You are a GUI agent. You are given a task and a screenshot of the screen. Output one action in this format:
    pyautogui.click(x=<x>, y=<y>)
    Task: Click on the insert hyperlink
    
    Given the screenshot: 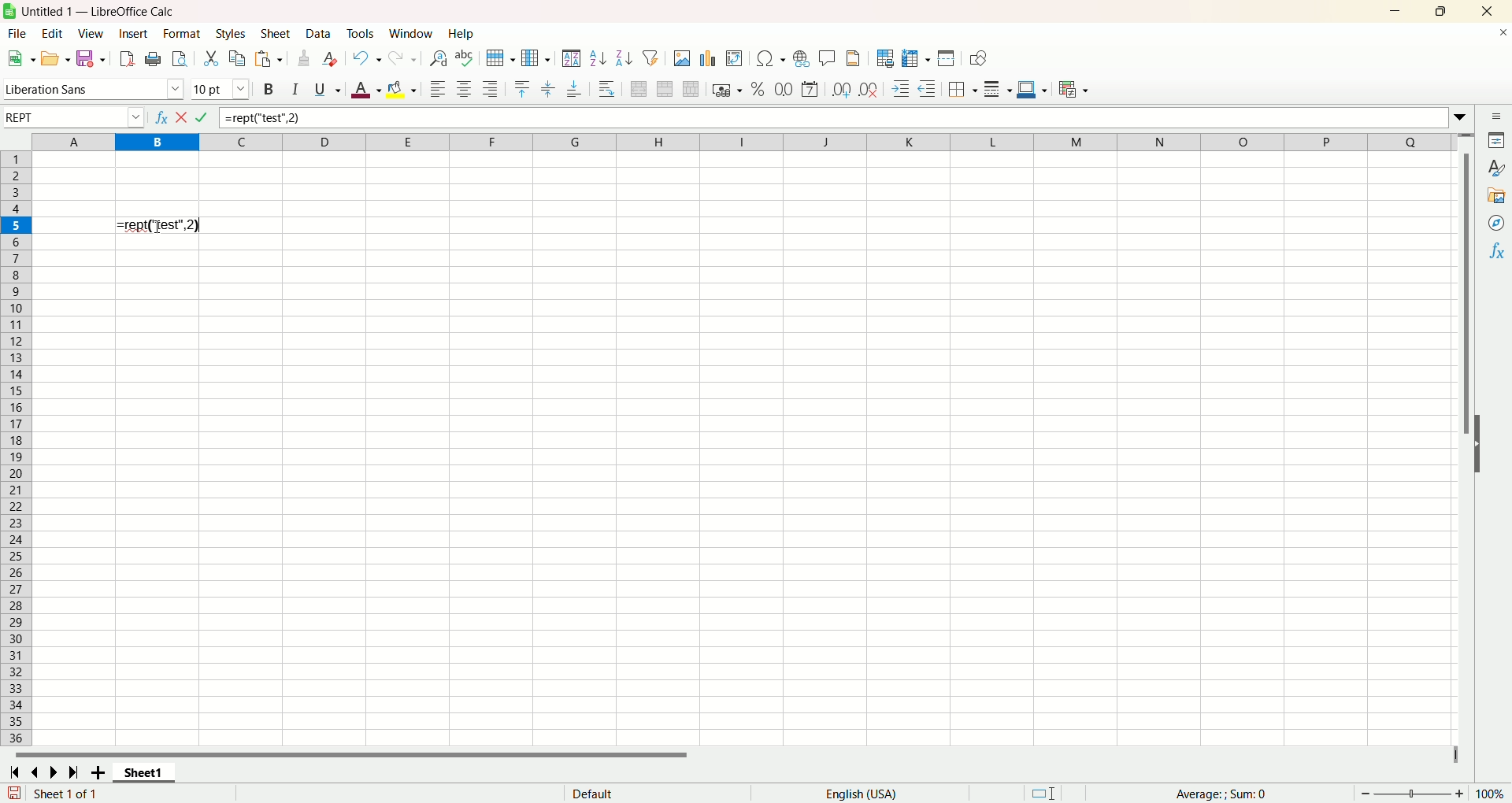 What is the action you would take?
    pyautogui.click(x=800, y=59)
    